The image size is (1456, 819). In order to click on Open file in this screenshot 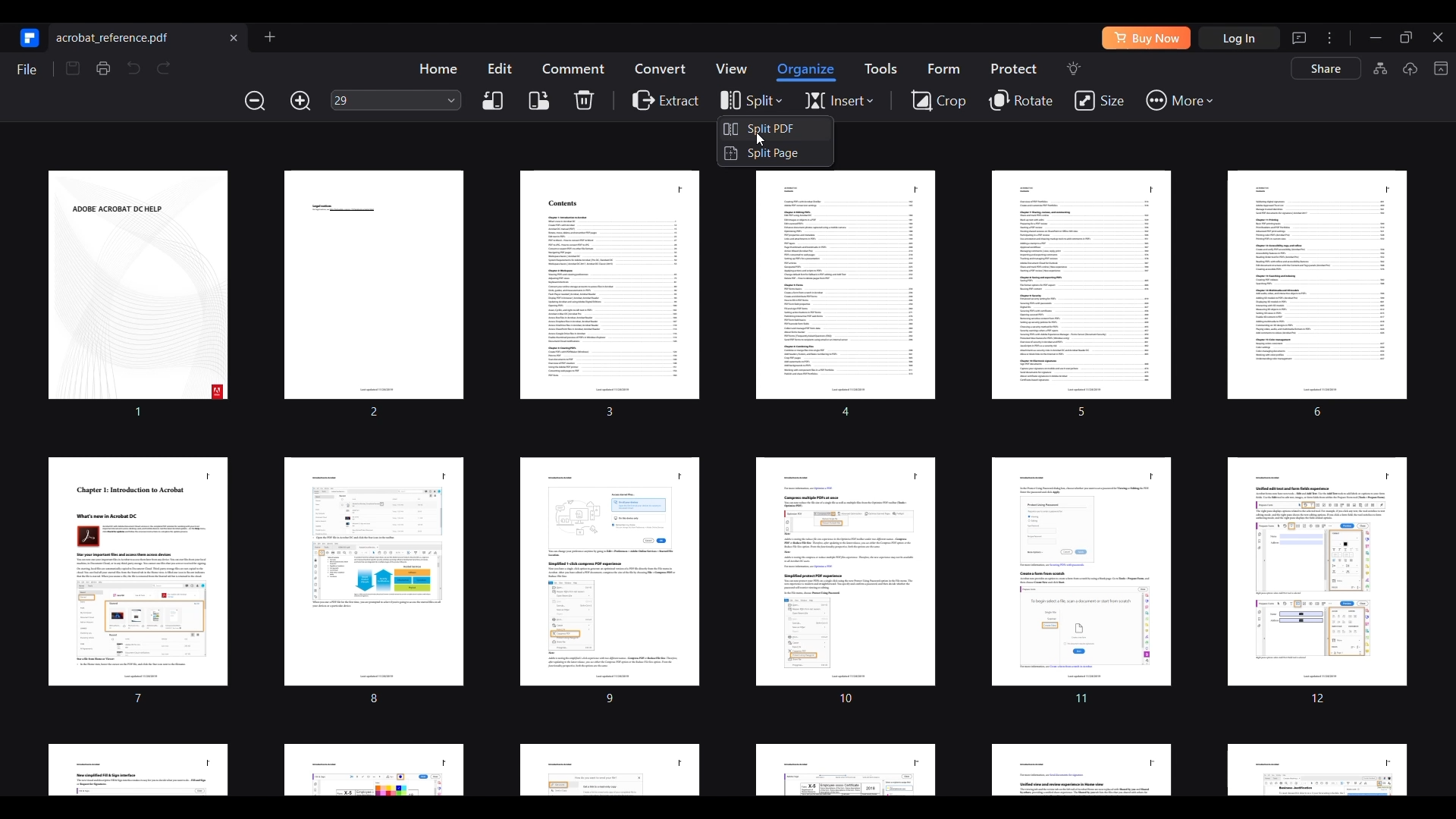, I will do `click(269, 36)`.